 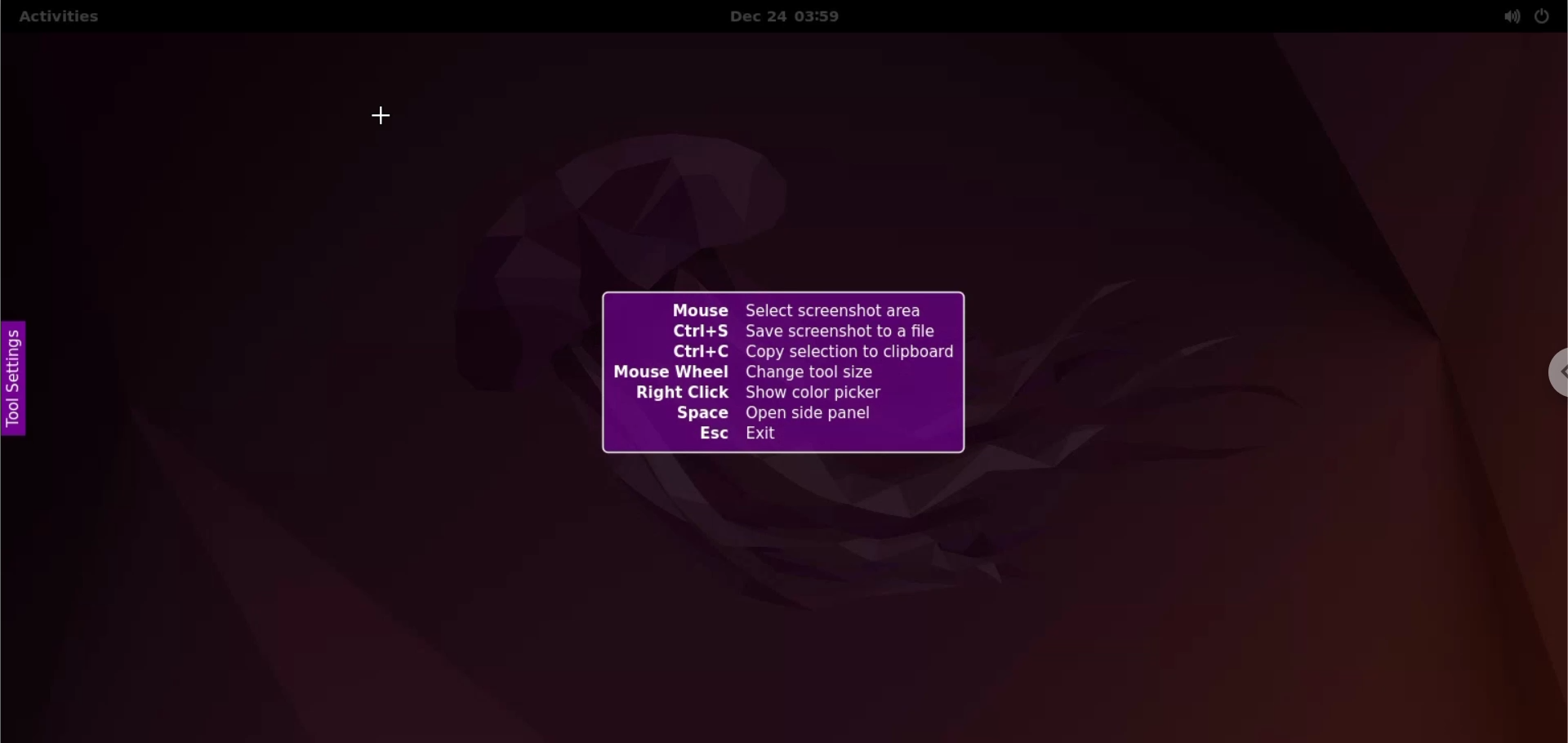 What do you see at coordinates (786, 373) in the screenshot?
I see `shortcuts` at bounding box center [786, 373].